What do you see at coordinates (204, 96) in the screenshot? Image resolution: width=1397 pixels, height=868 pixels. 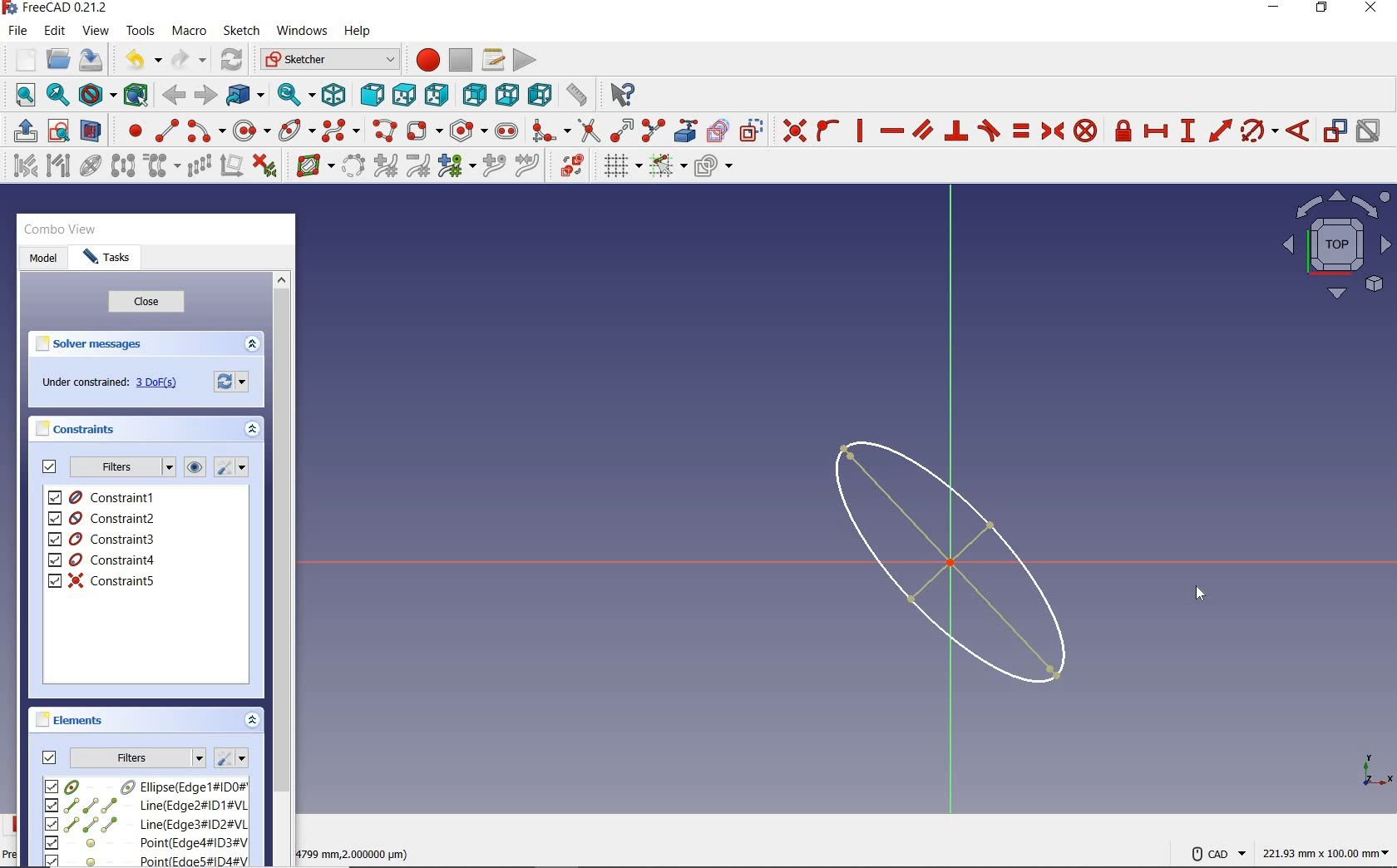 I see `forward` at bounding box center [204, 96].